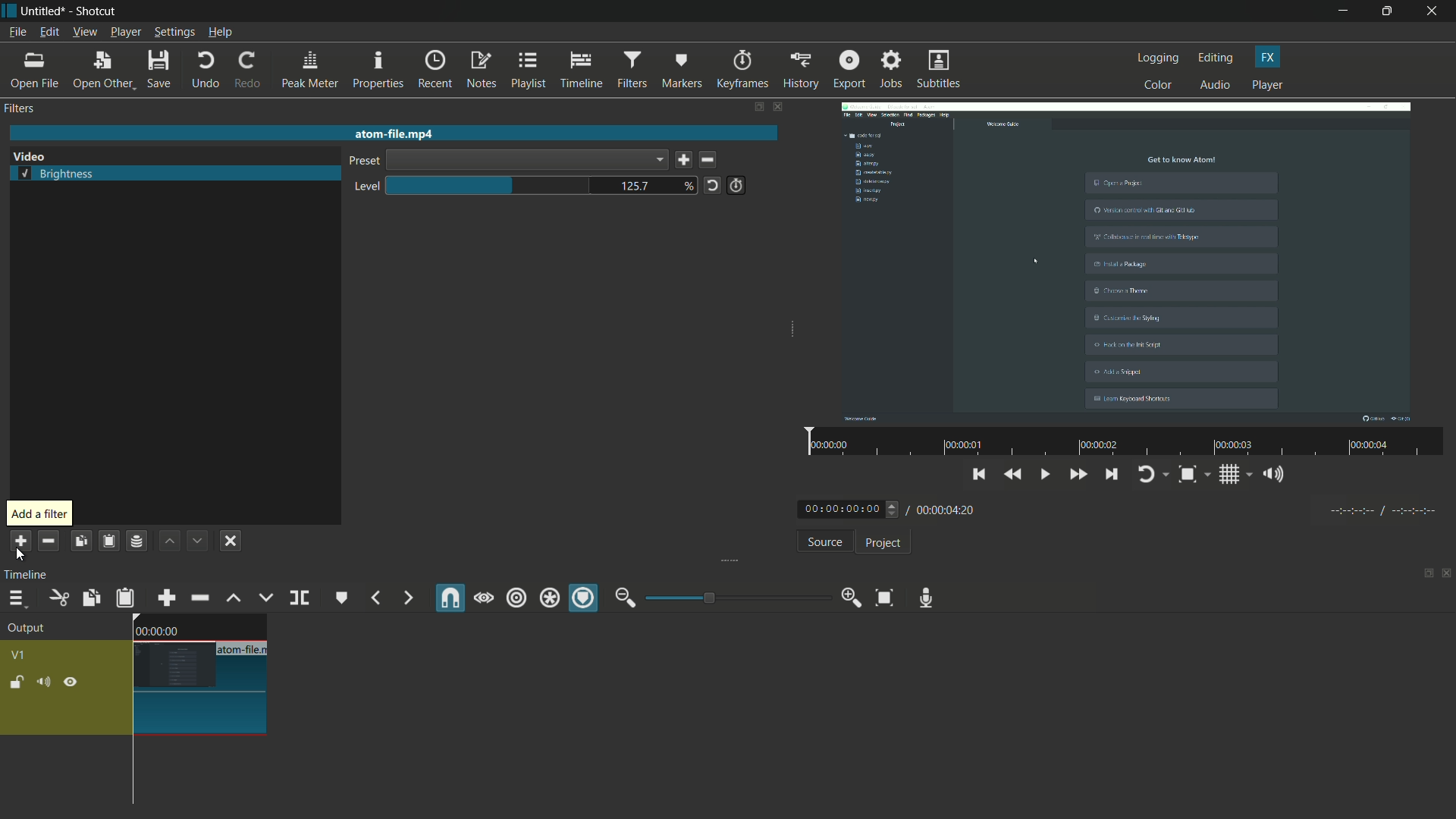 This screenshot has height=819, width=1456. What do you see at coordinates (21, 556) in the screenshot?
I see `cursor` at bounding box center [21, 556].